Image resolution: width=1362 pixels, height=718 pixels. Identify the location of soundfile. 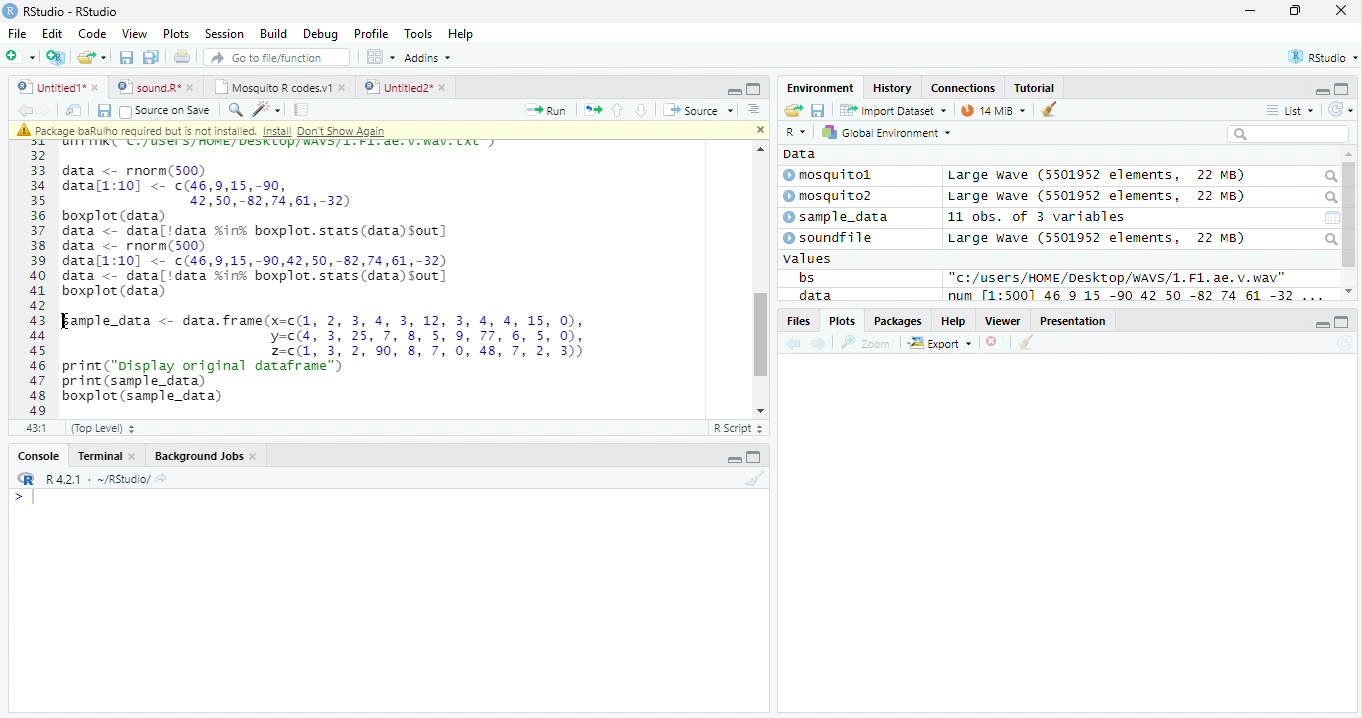
(829, 238).